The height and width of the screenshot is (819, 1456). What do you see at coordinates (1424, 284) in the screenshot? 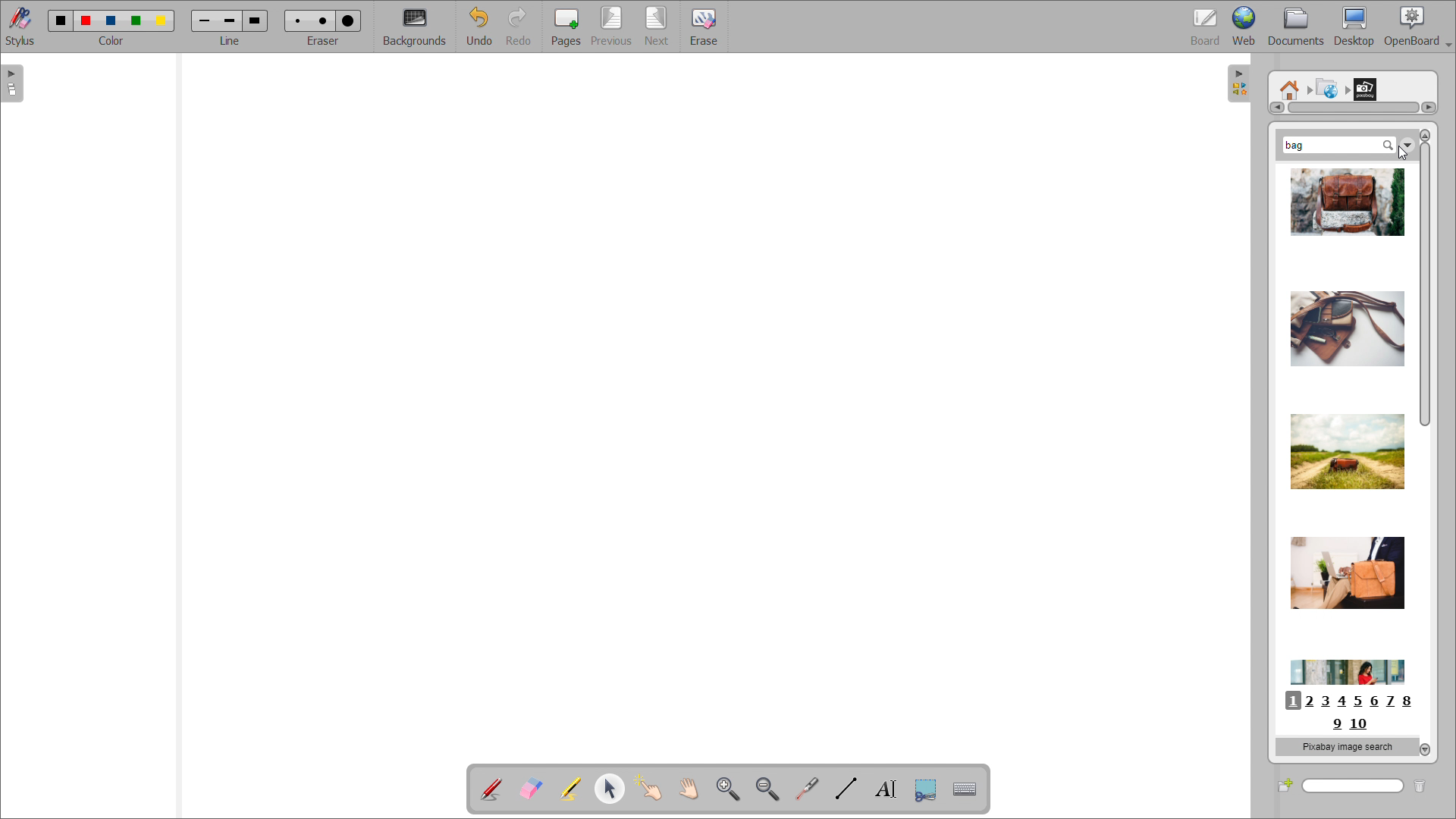
I see `scrollbar` at bounding box center [1424, 284].